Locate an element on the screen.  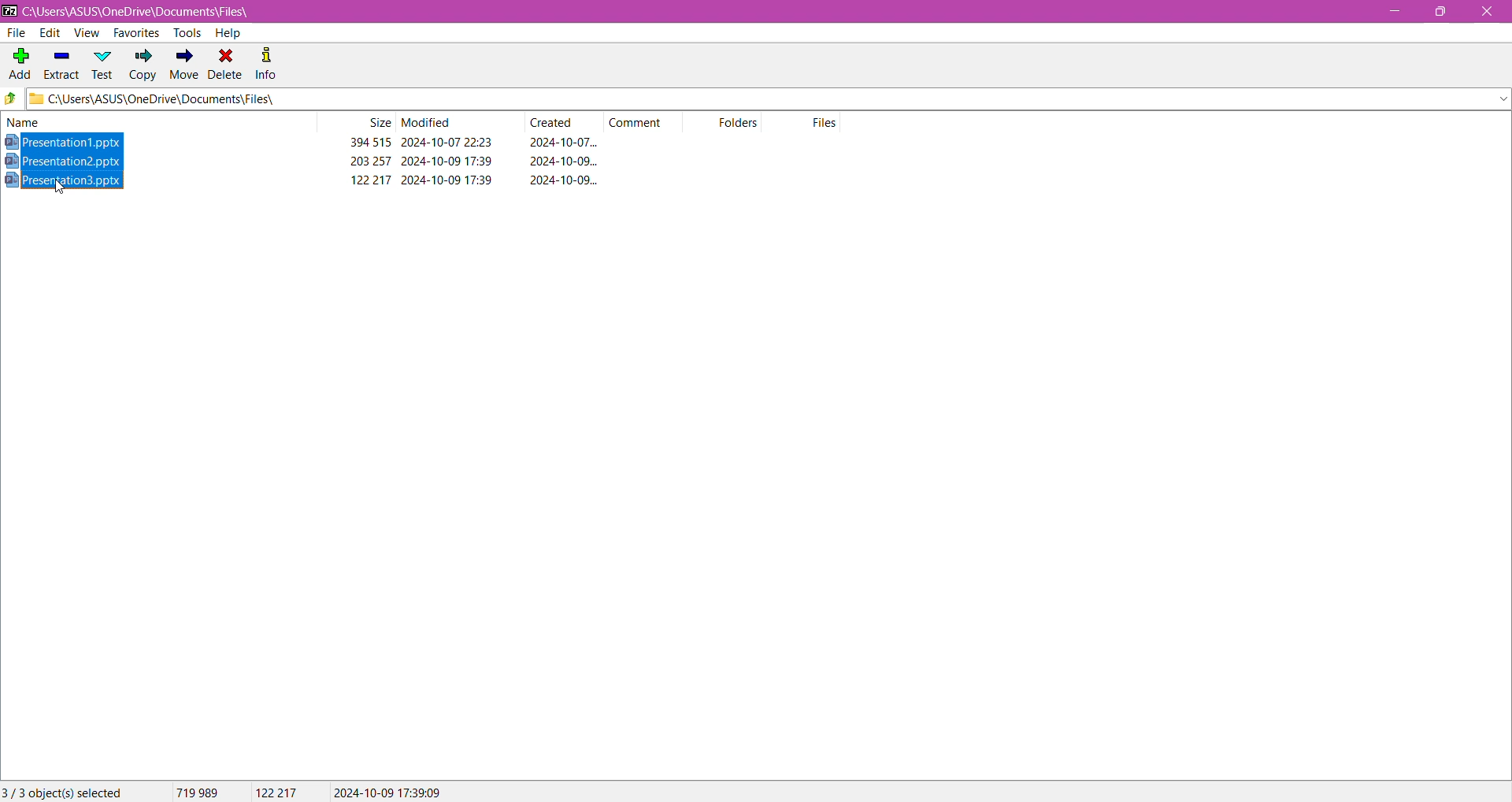
Extract is located at coordinates (61, 61).